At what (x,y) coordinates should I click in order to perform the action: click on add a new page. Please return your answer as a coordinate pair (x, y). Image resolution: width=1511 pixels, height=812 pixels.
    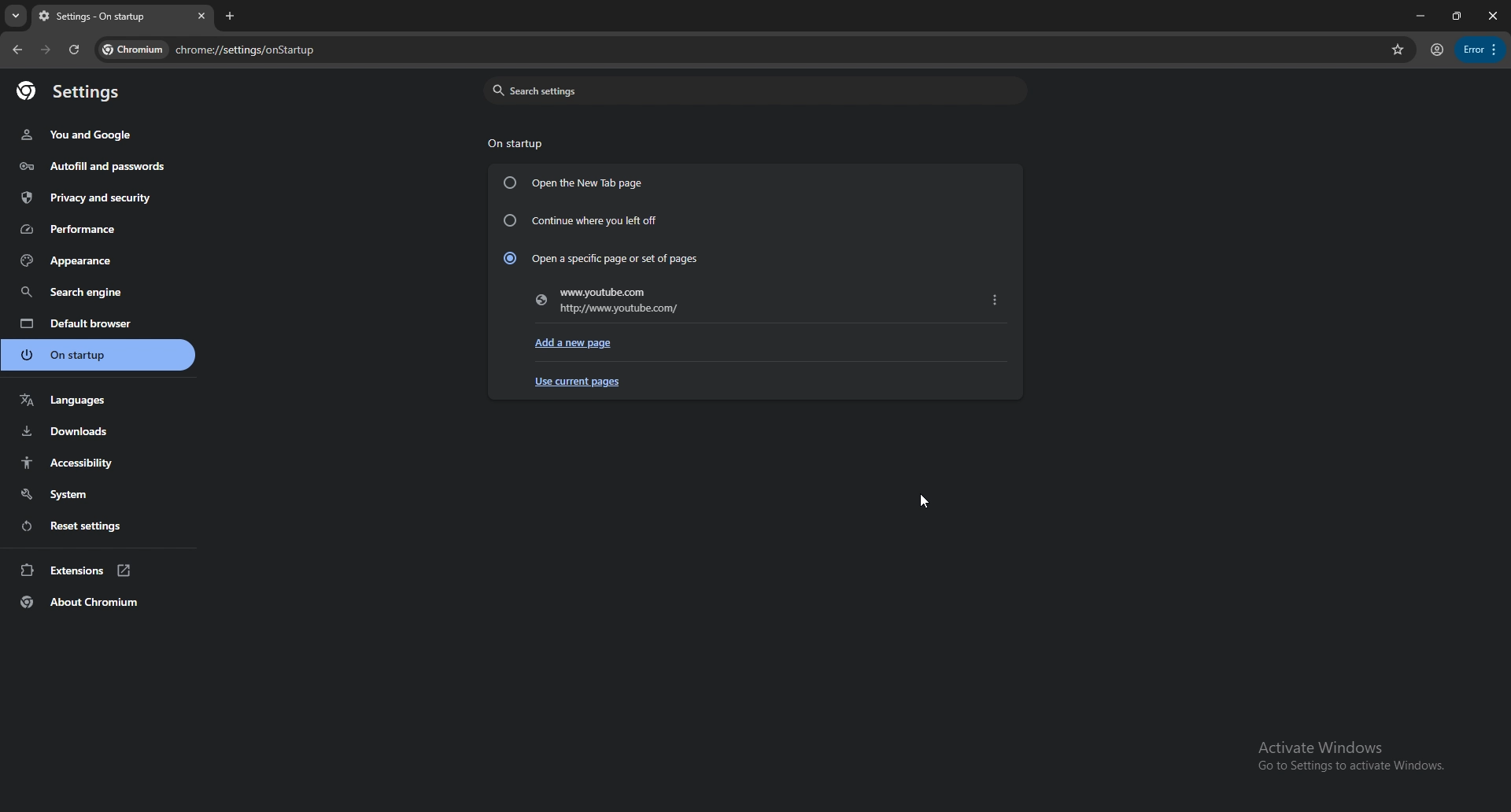
    Looking at the image, I should click on (578, 342).